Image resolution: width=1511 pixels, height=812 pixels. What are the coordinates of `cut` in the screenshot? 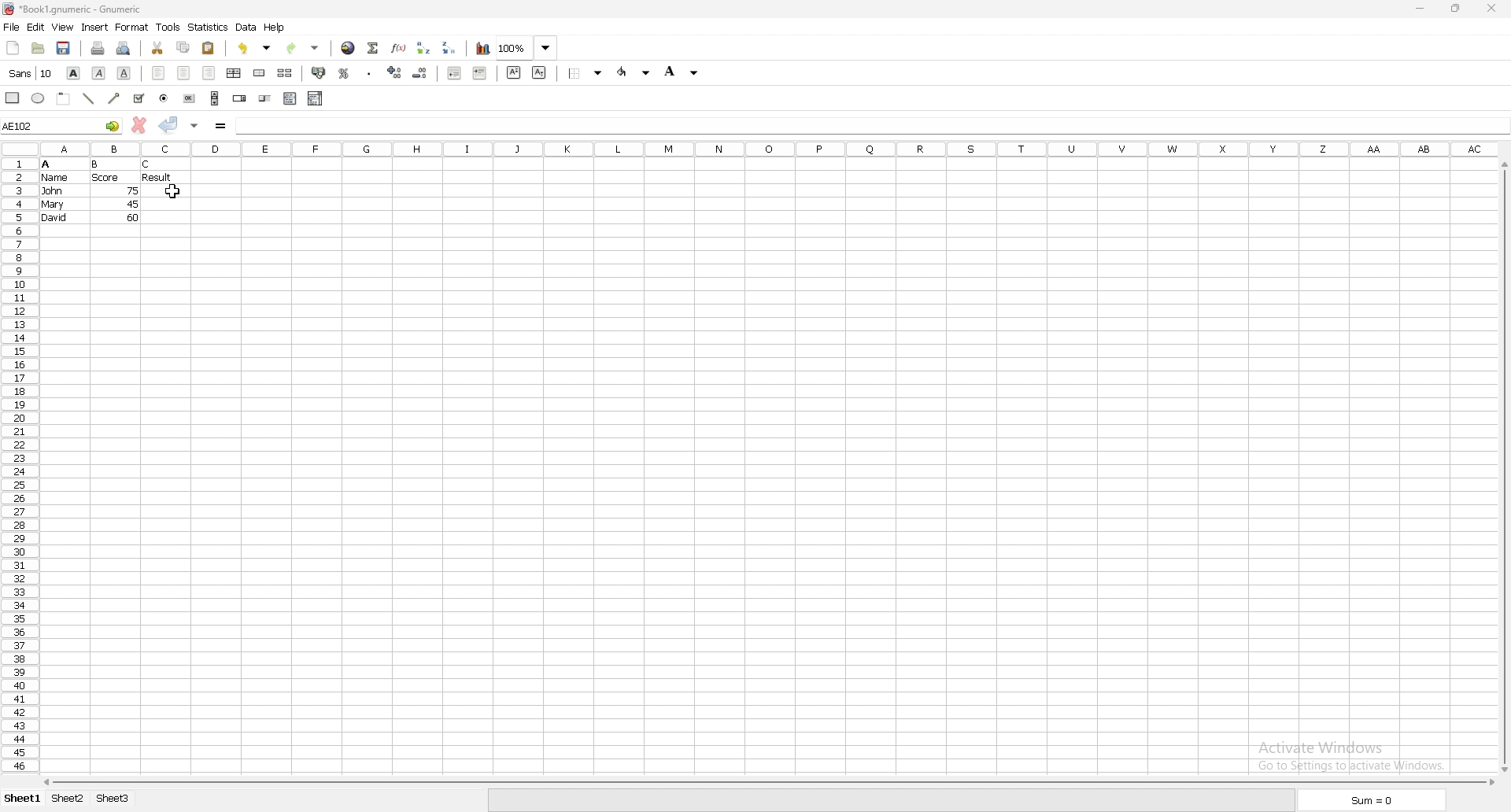 It's located at (157, 48).